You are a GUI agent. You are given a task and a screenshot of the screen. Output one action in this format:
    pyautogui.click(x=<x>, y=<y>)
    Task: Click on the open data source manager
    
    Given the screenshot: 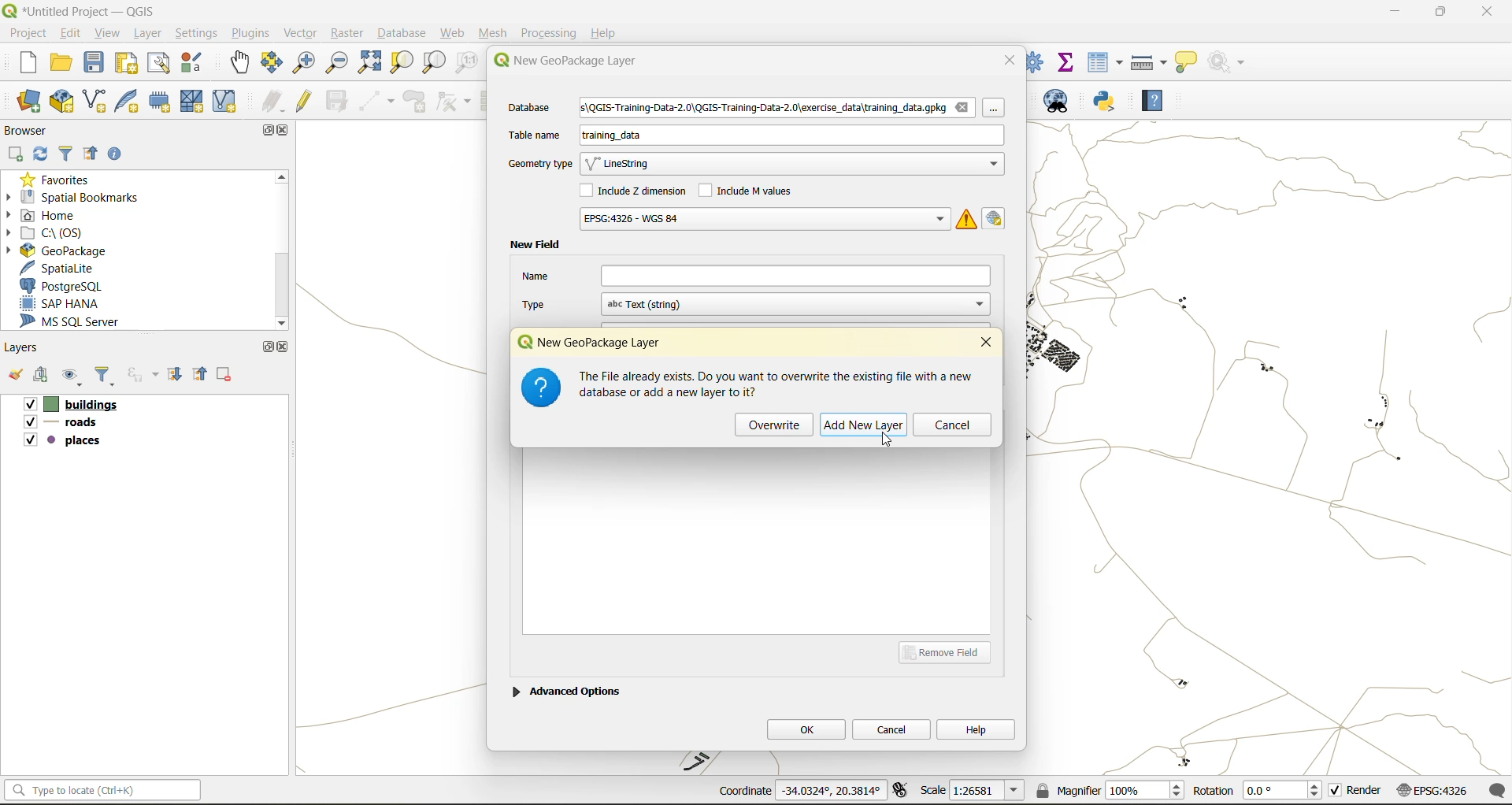 What is the action you would take?
    pyautogui.click(x=29, y=102)
    